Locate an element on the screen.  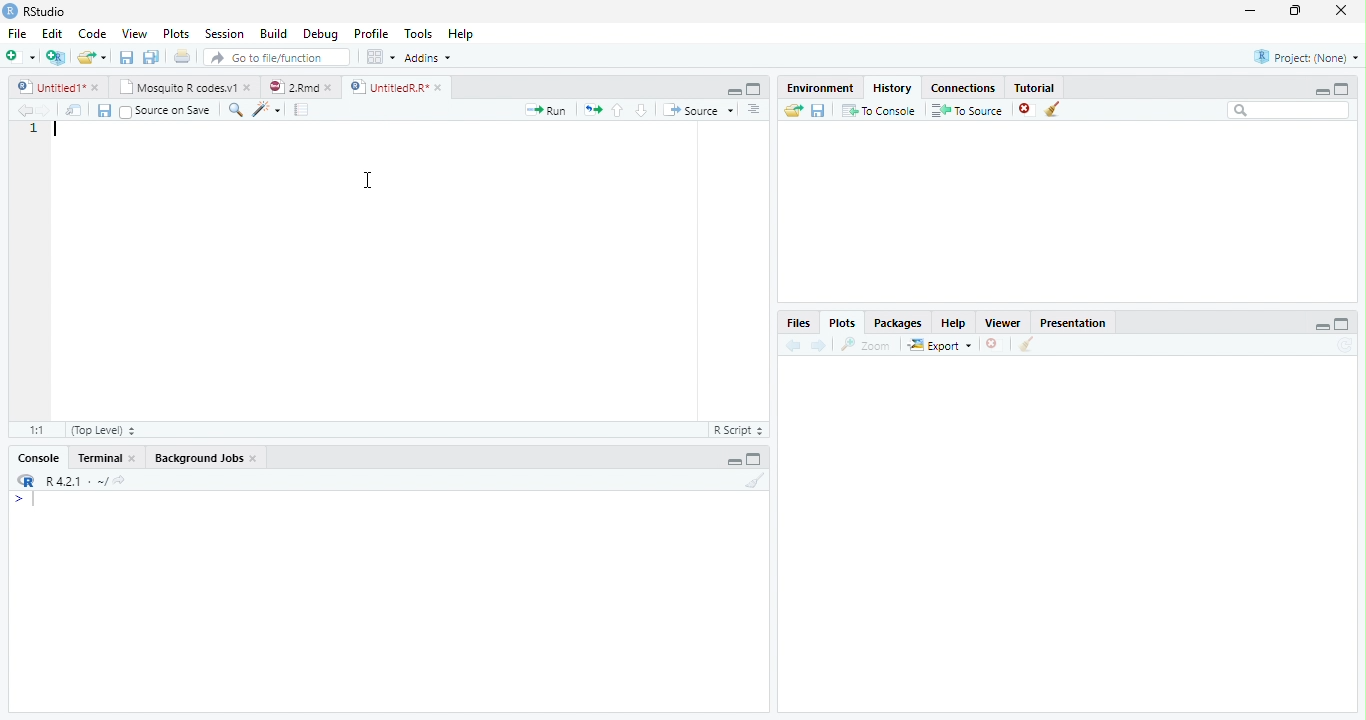
Background Jobs is located at coordinates (200, 459).